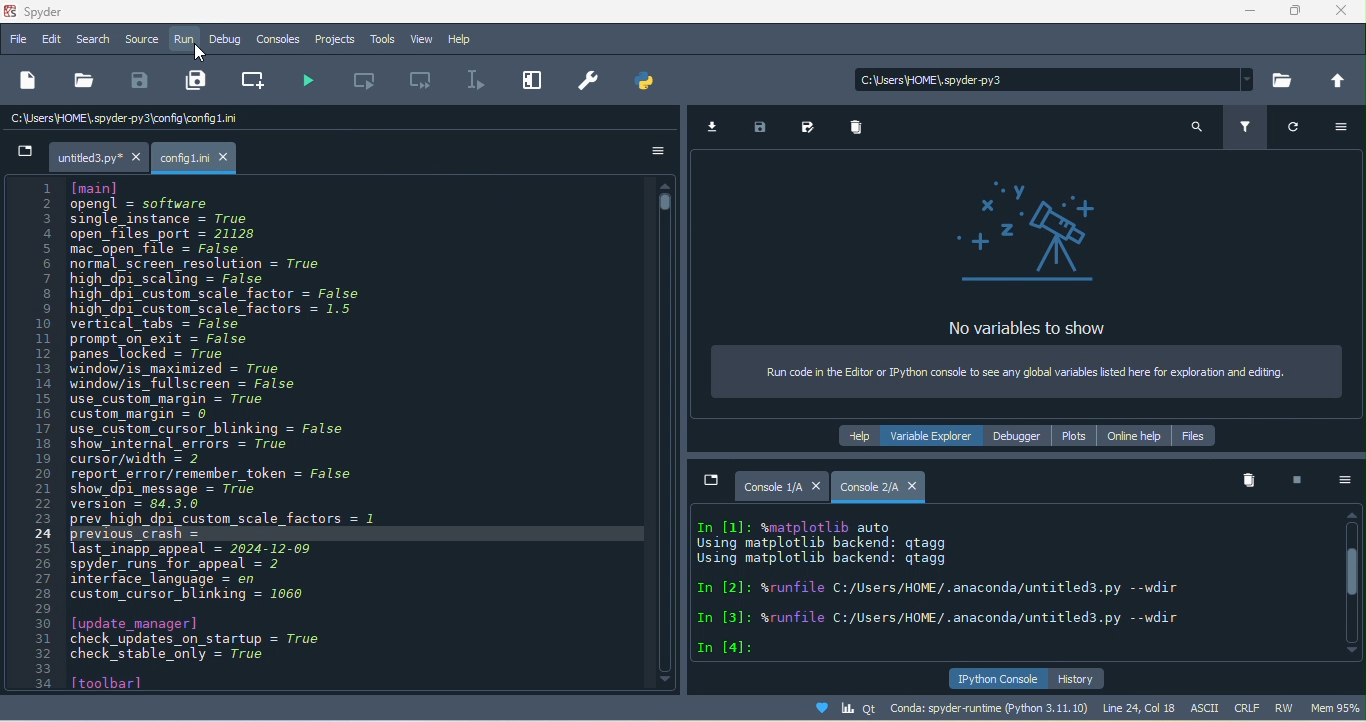 The height and width of the screenshot is (722, 1366). What do you see at coordinates (140, 81) in the screenshot?
I see `save` at bounding box center [140, 81].